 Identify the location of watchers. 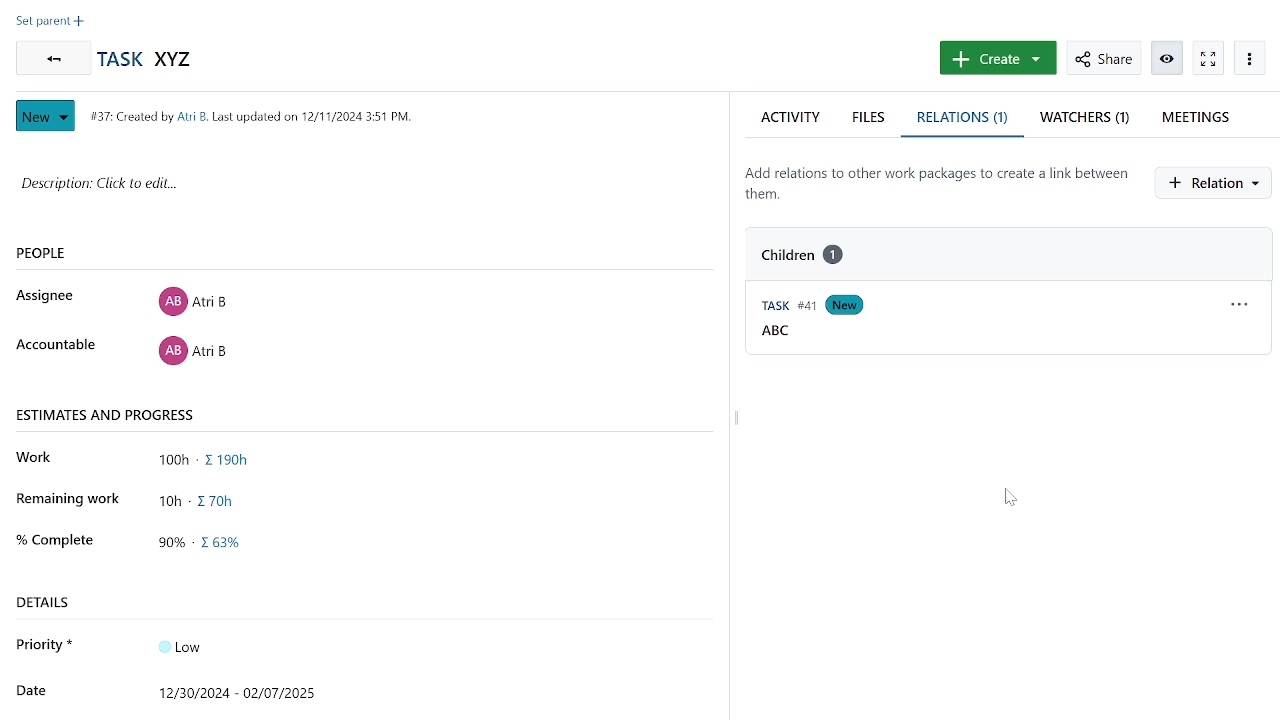
(1086, 120).